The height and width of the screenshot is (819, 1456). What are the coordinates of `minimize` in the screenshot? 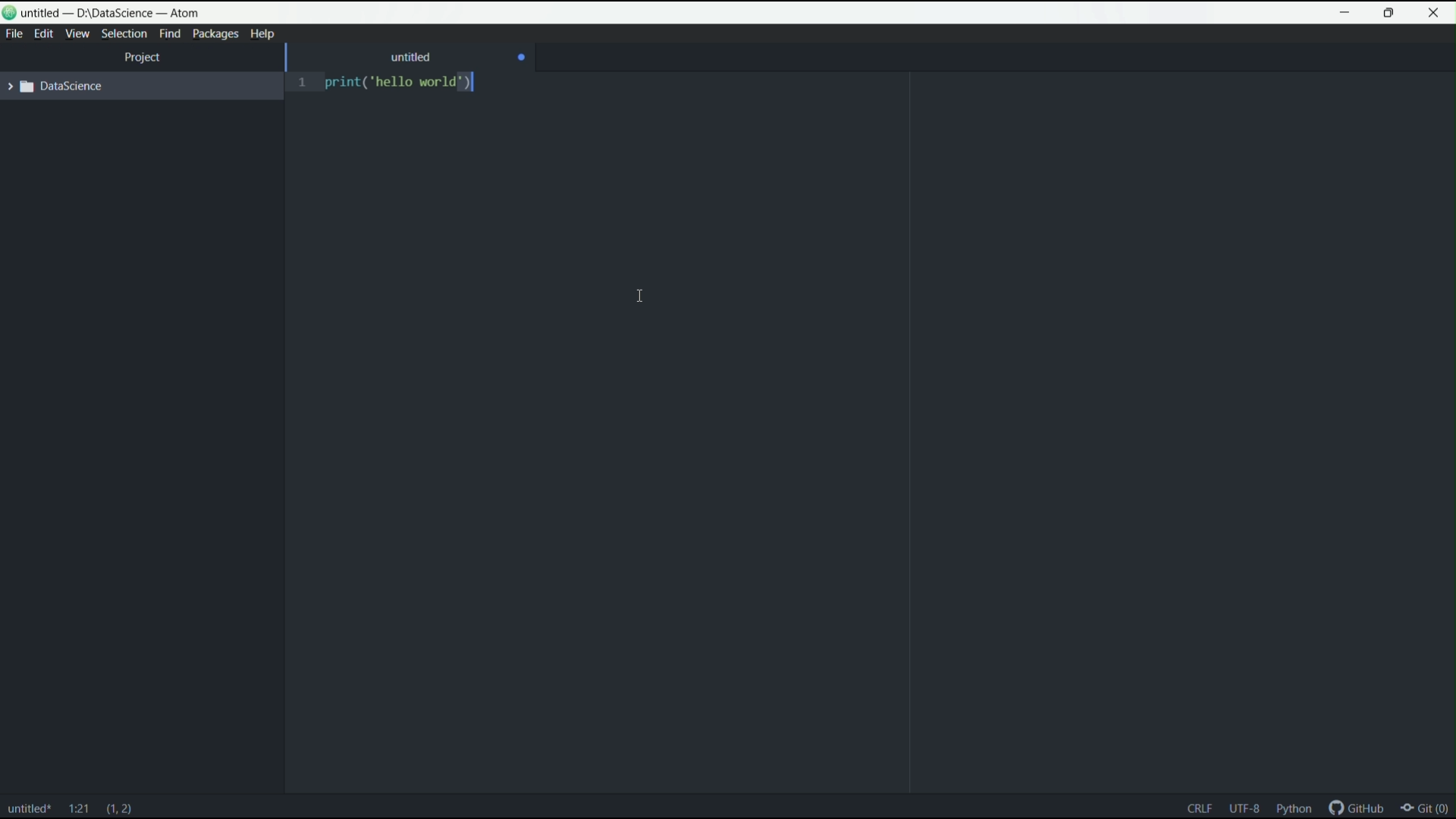 It's located at (1346, 13).